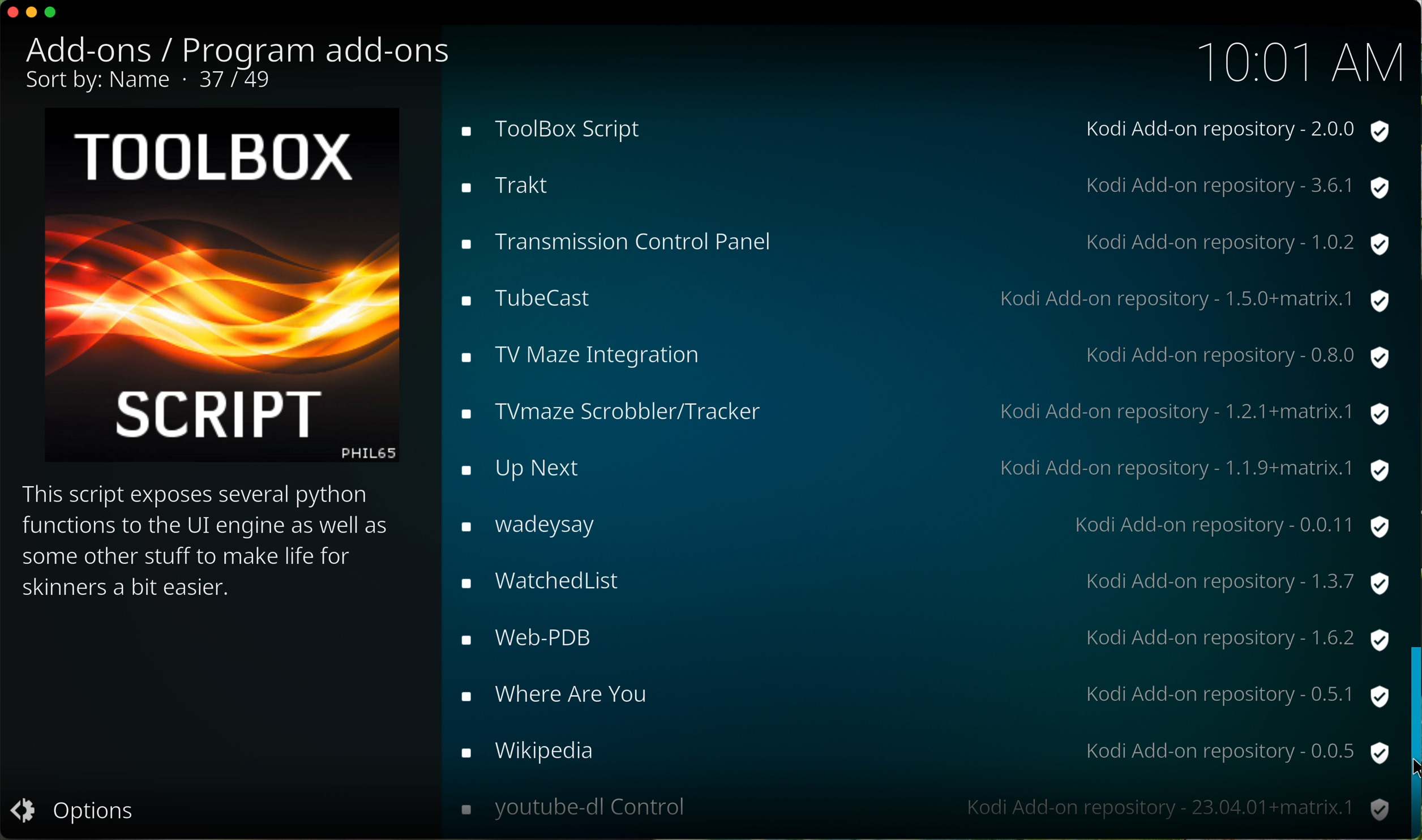 Image resolution: width=1422 pixels, height=840 pixels. I want to click on trakt, so click(919, 181).